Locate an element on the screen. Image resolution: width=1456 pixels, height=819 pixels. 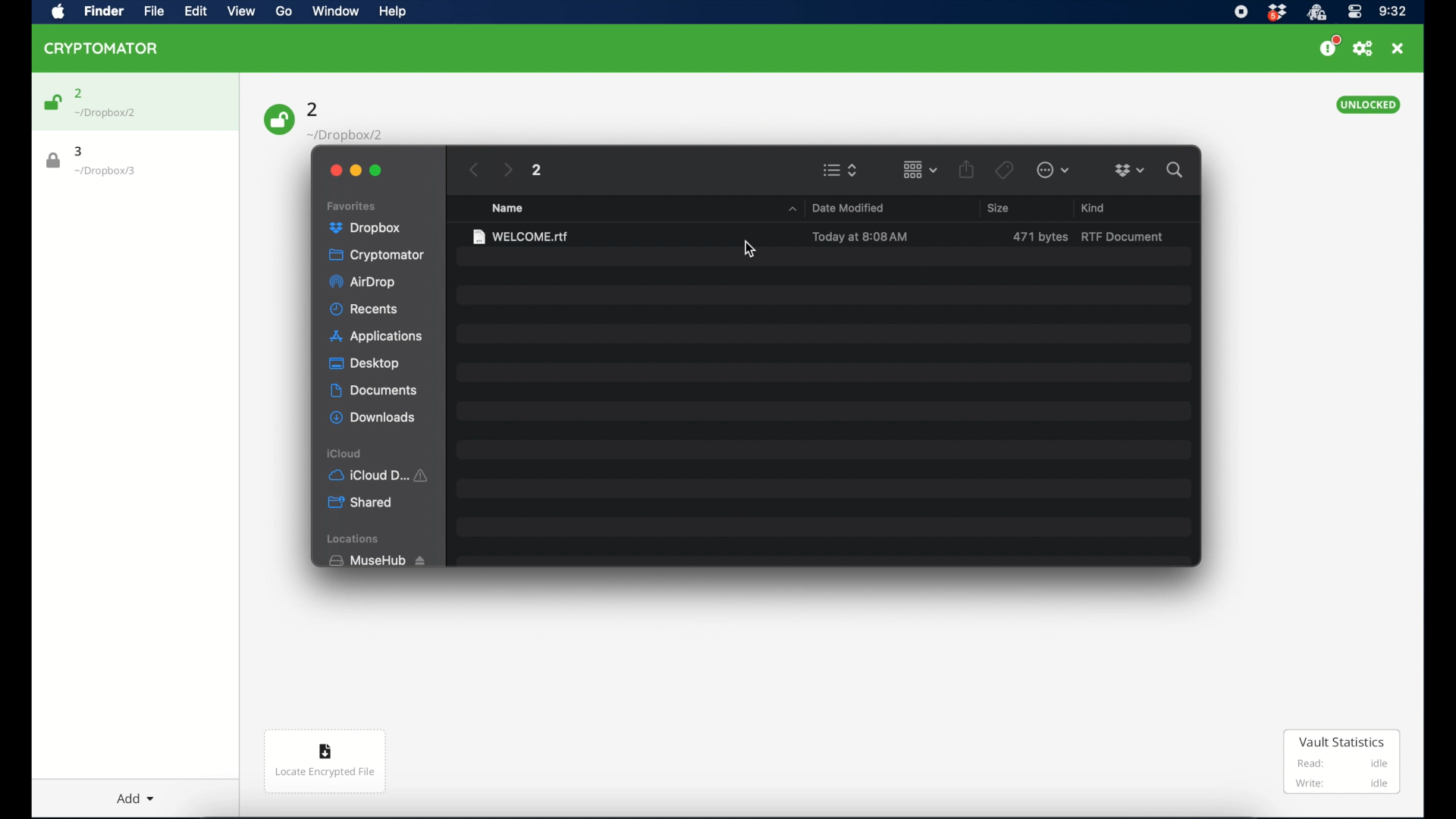
maximize is located at coordinates (377, 171).